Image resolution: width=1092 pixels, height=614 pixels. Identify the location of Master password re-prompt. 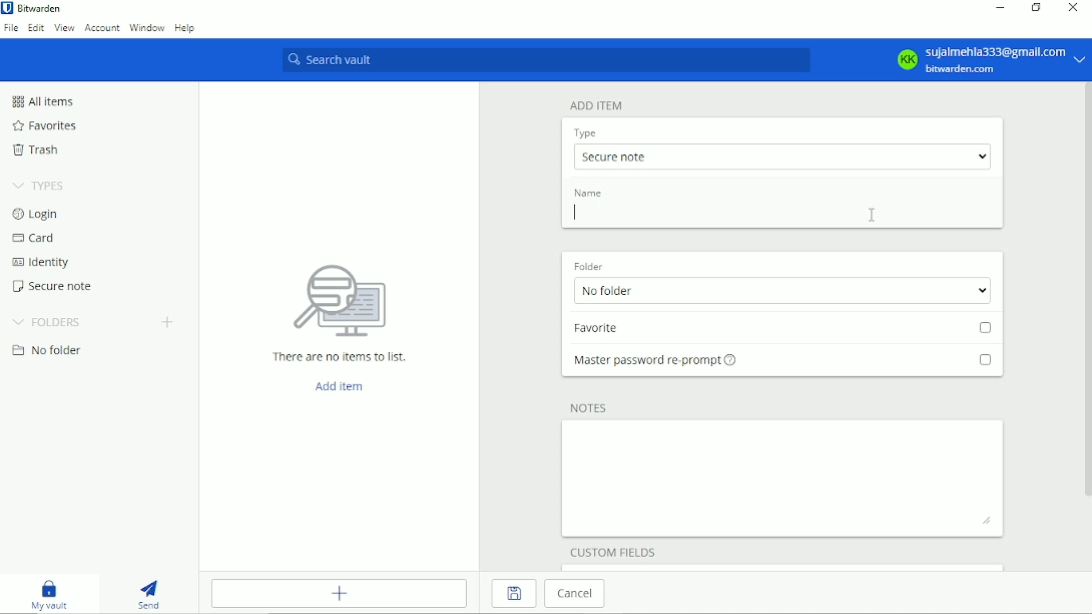
(782, 366).